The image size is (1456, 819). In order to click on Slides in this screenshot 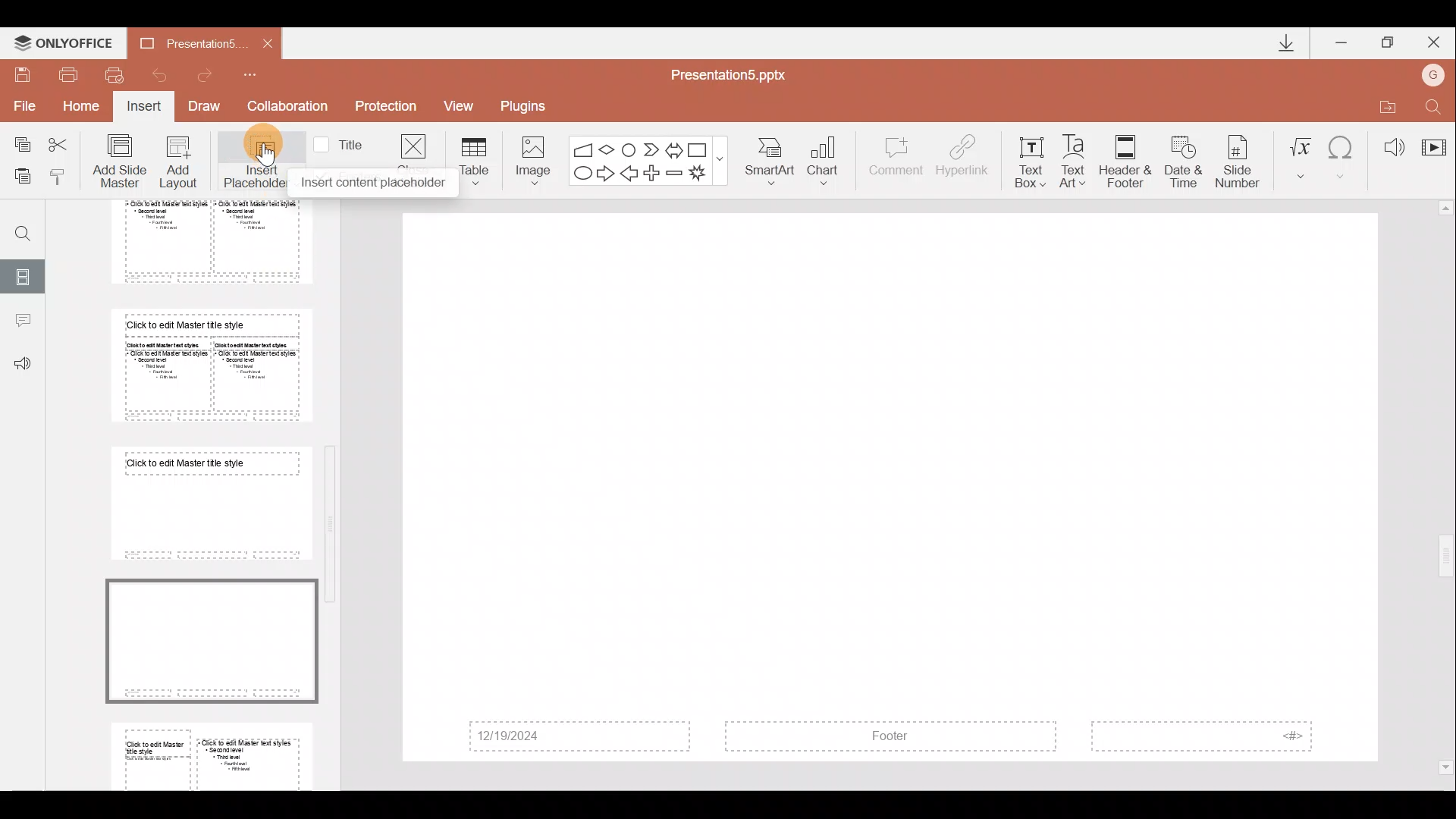, I will do `click(24, 275)`.